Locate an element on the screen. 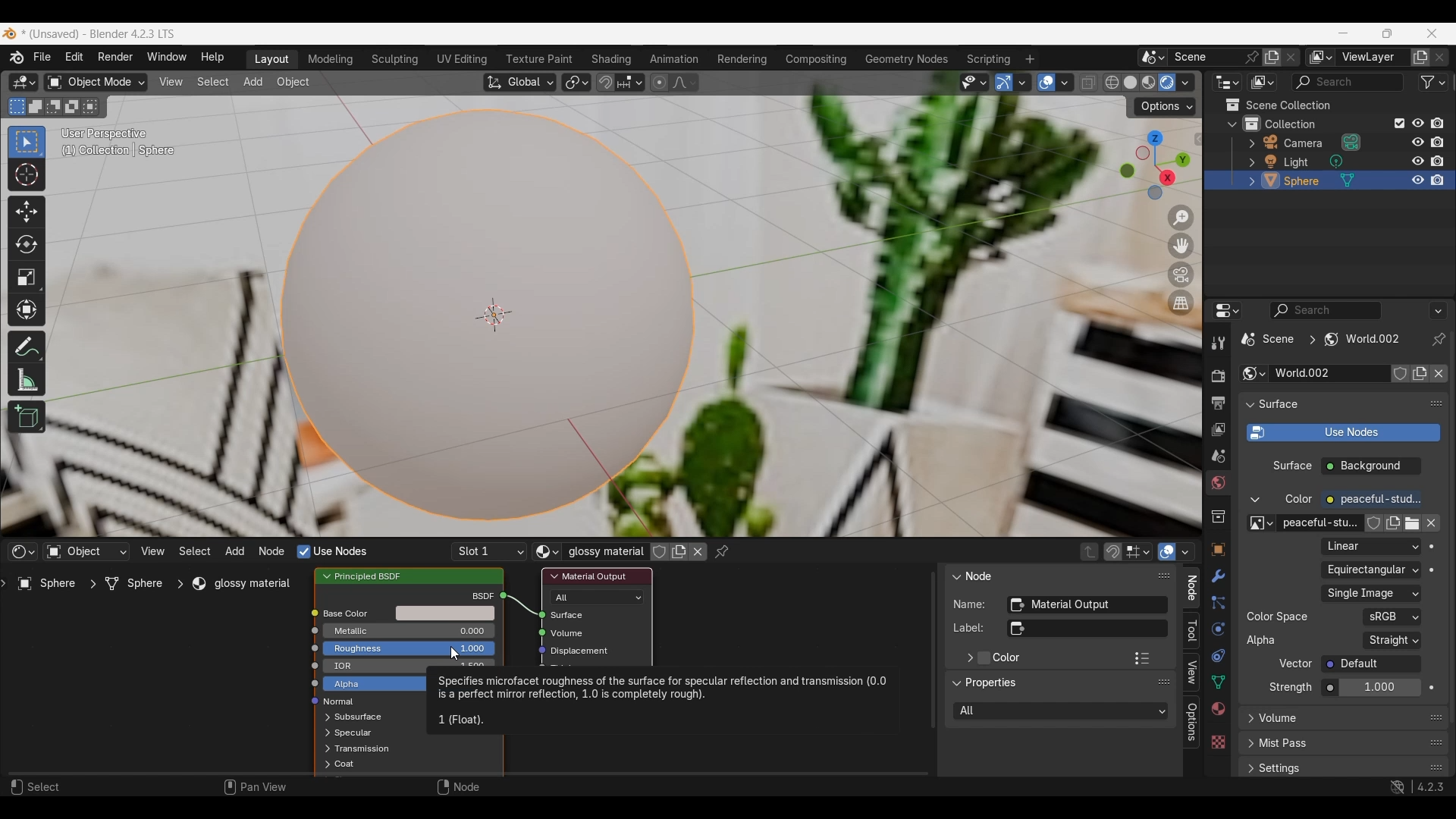 The width and height of the screenshot is (1456, 819). File menu is located at coordinates (42, 58).